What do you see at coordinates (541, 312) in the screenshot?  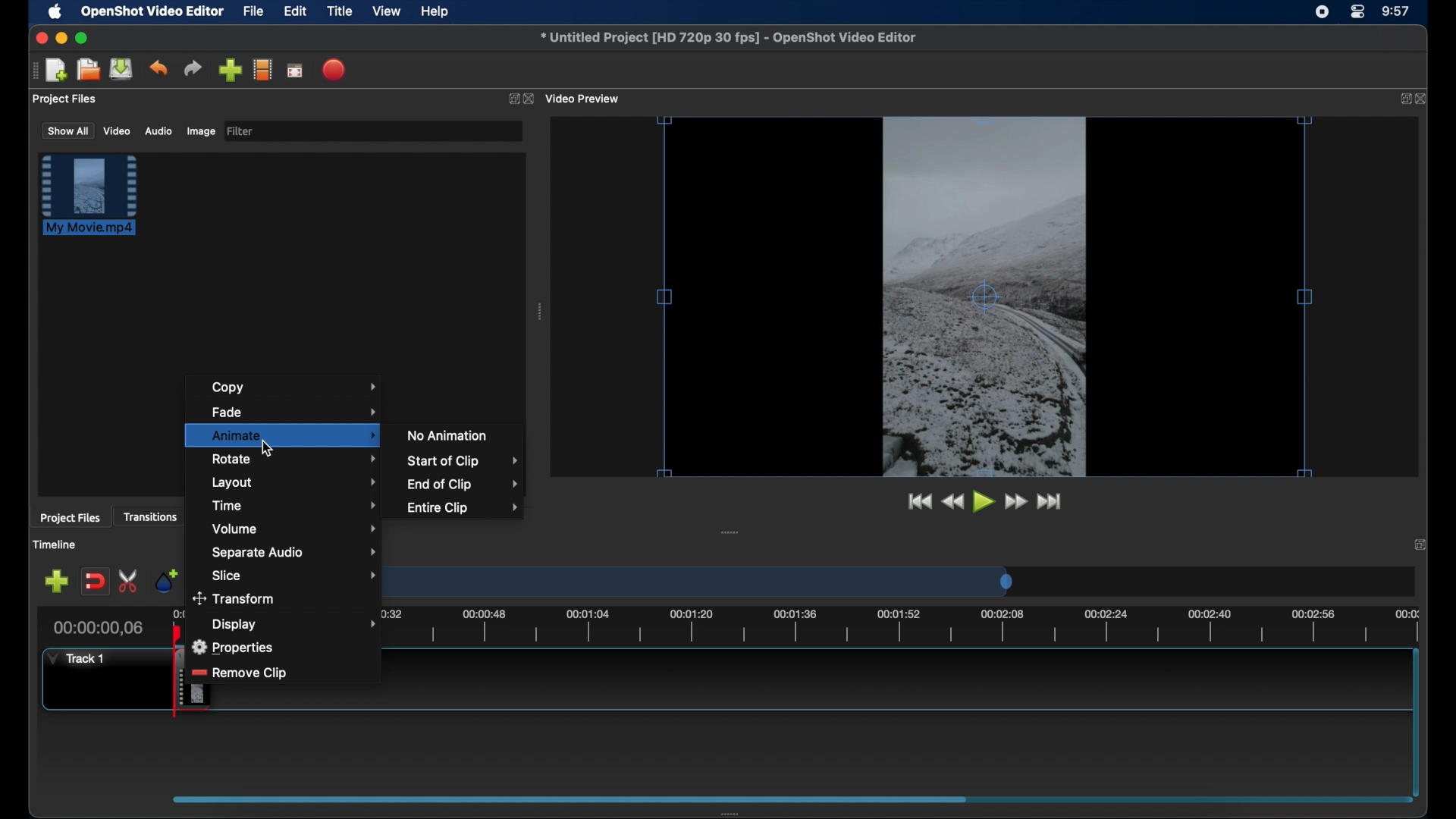 I see `drag handle` at bounding box center [541, 312].